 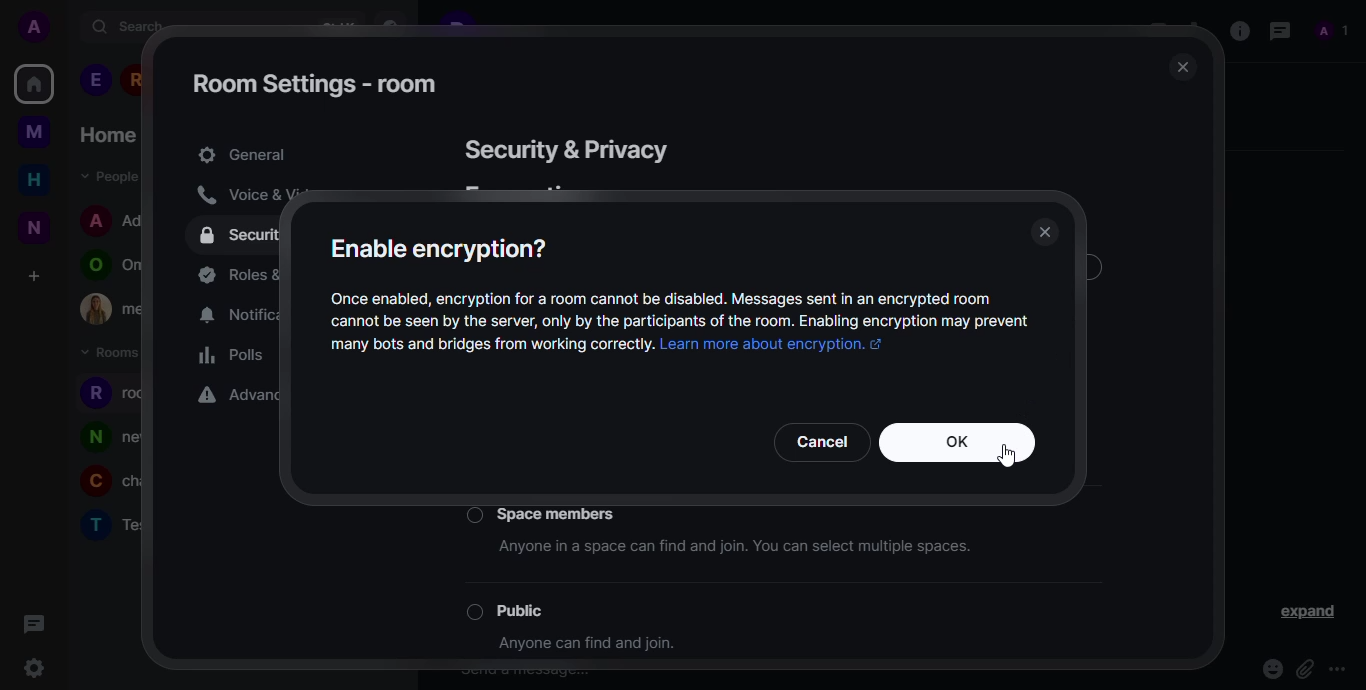 I want to click on more, so click(x=1339, y=668).